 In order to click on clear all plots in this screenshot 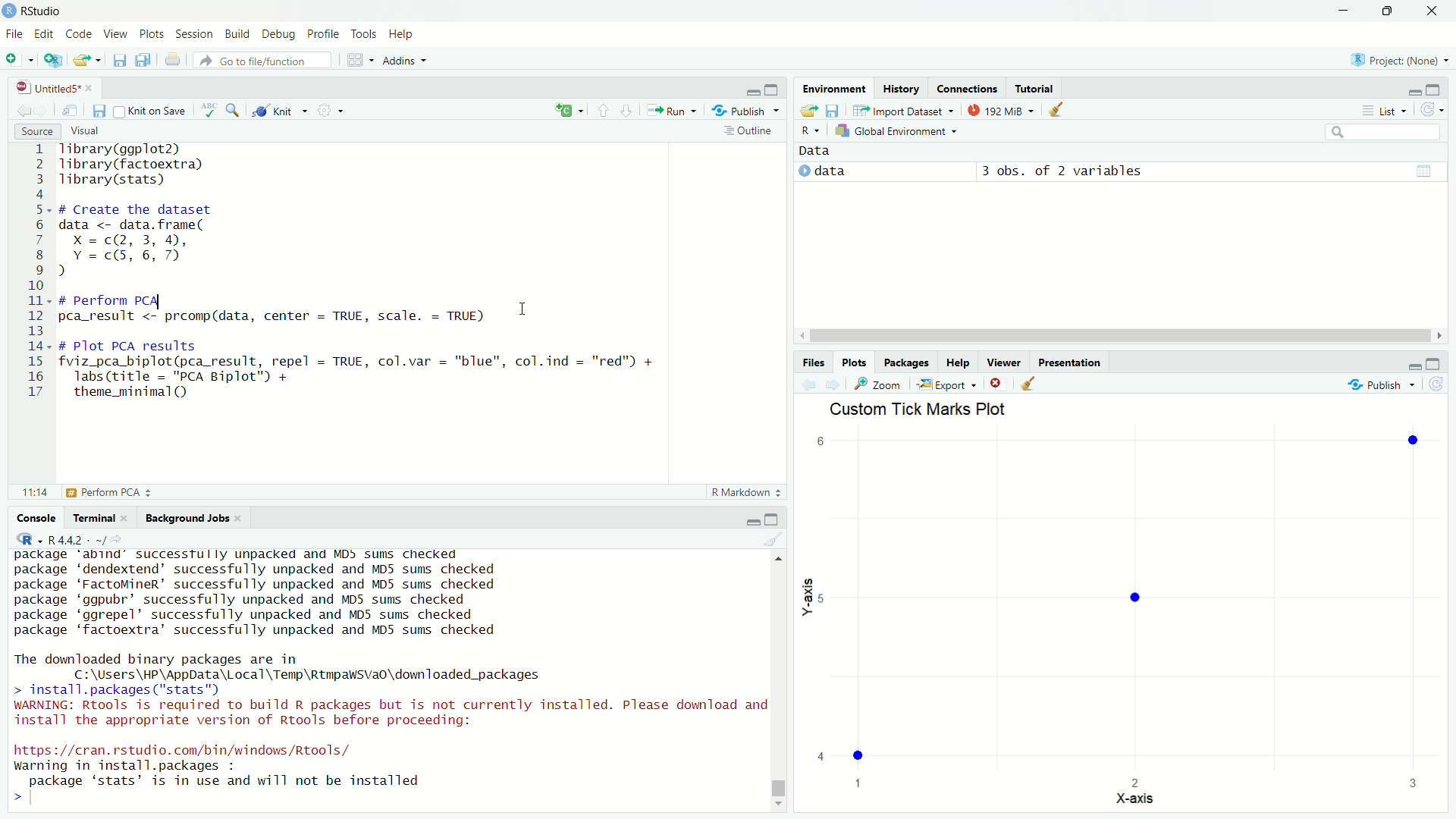, I will do `click(1029, 383)`.